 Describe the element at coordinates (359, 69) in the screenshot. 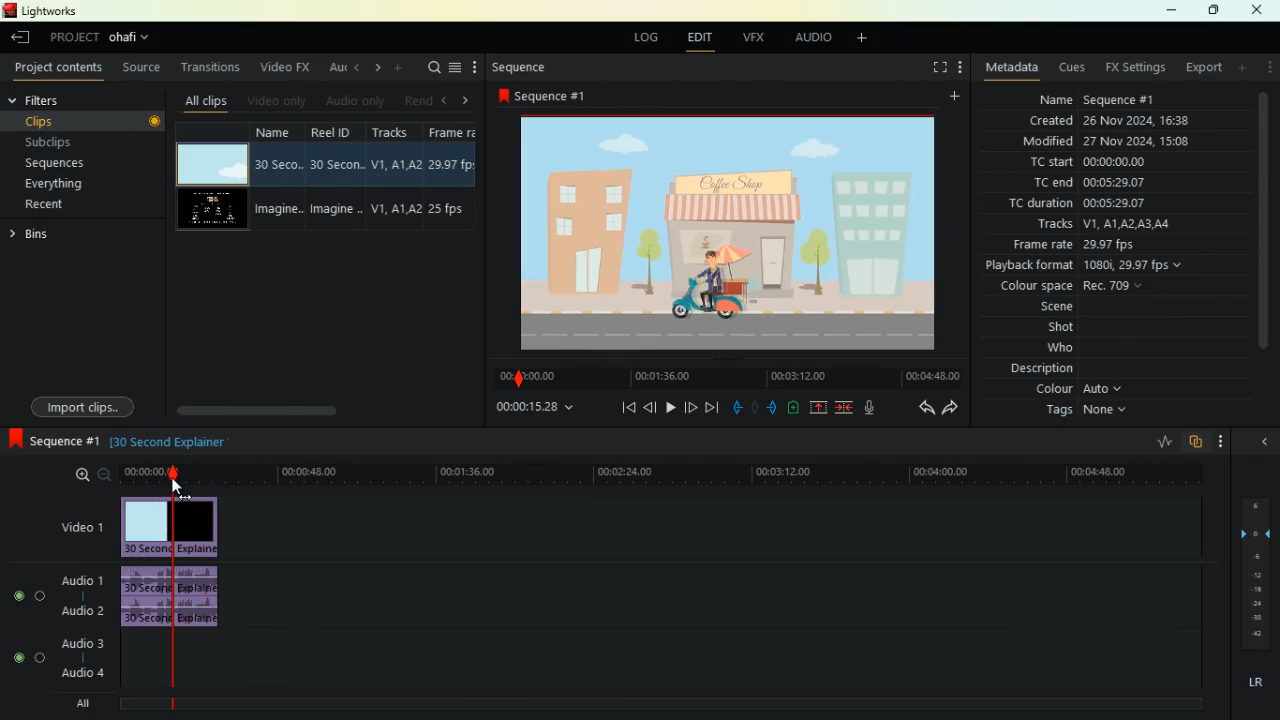

I see `left` at that location.